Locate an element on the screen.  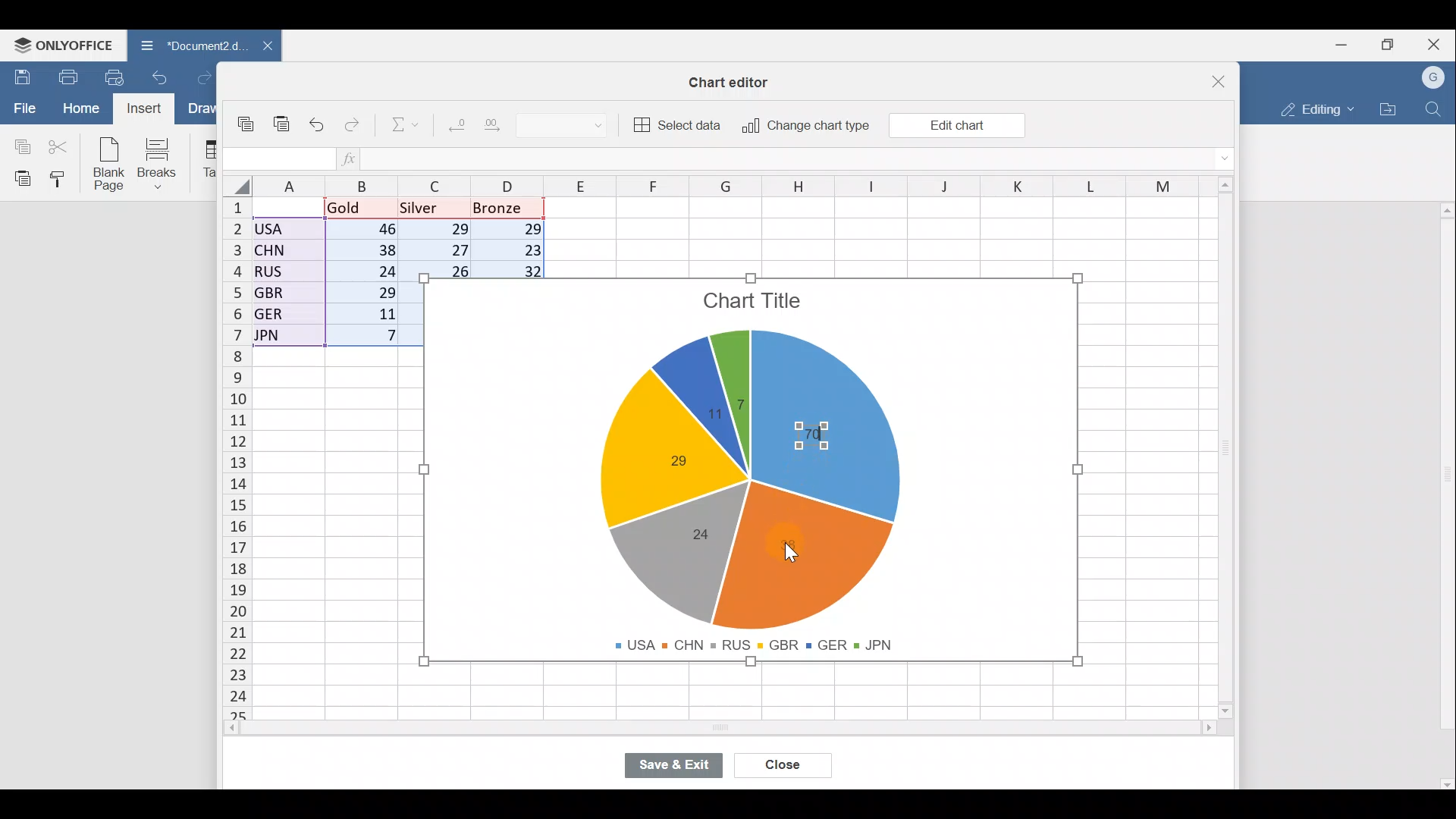
Copy is located at coordinates (249, 126).